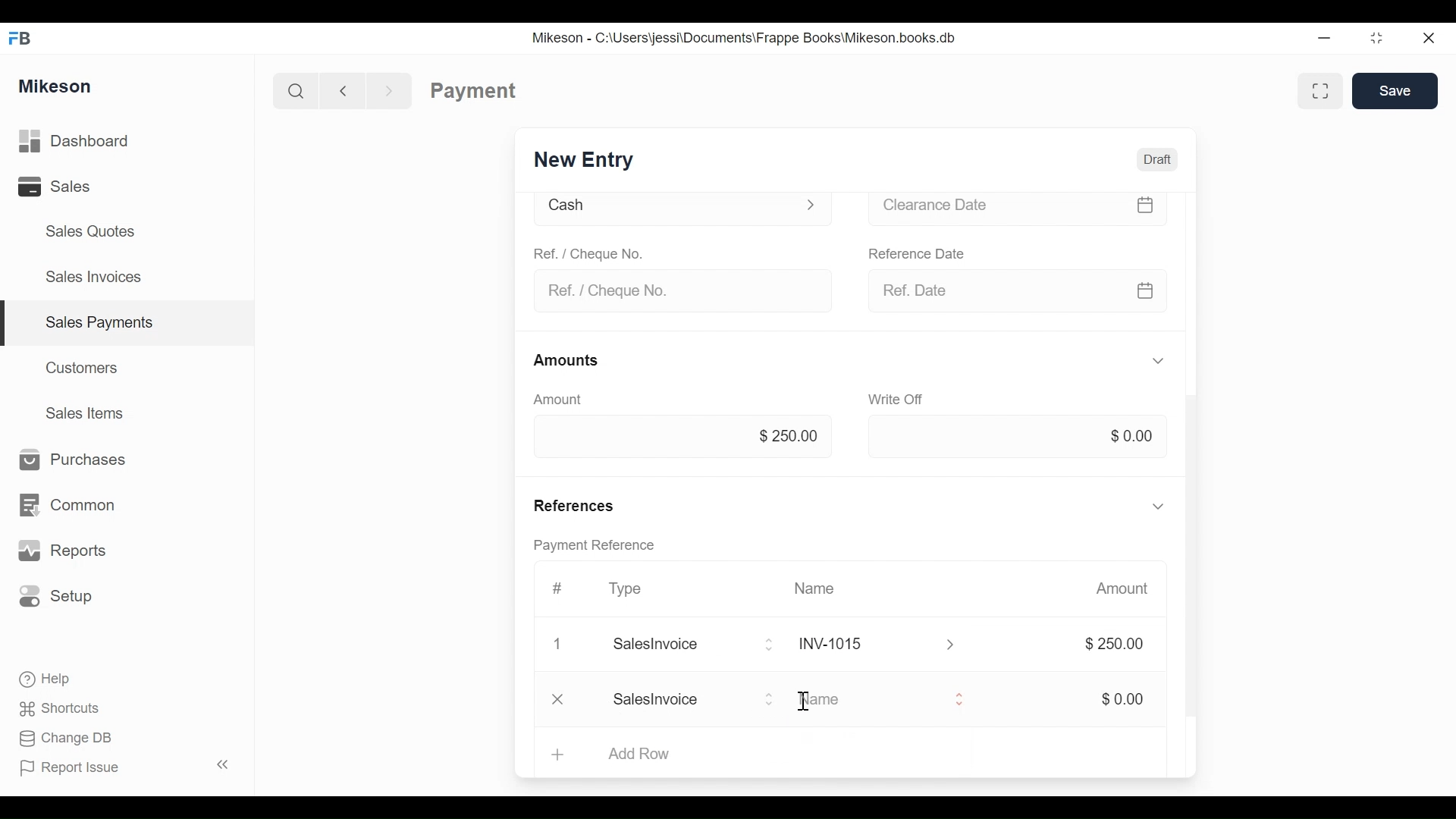  I want to click on Purchases, so click(72, 460).